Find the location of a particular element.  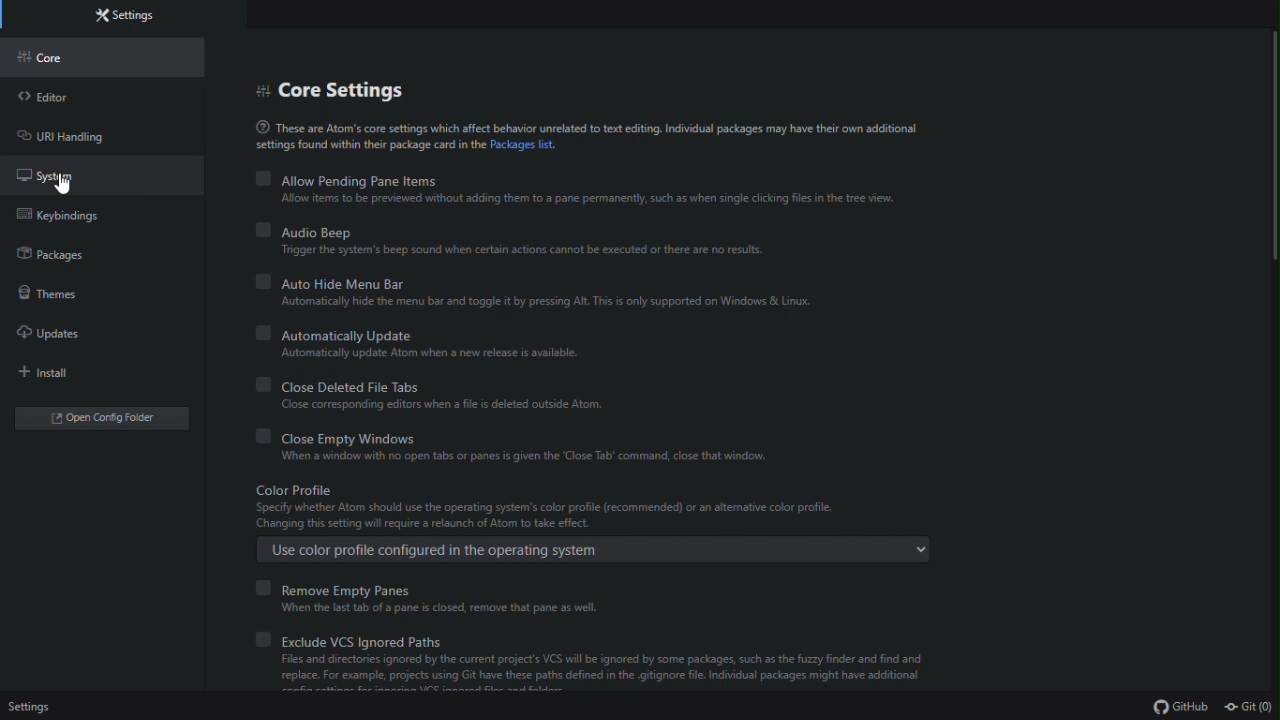

Color Profile
Specify whether Atom should use the operating system's color profile (recommended) or an altemative color profile
Changing this setting will require a relaunch of Atom to take effect. is located at coordinates (574, 505).